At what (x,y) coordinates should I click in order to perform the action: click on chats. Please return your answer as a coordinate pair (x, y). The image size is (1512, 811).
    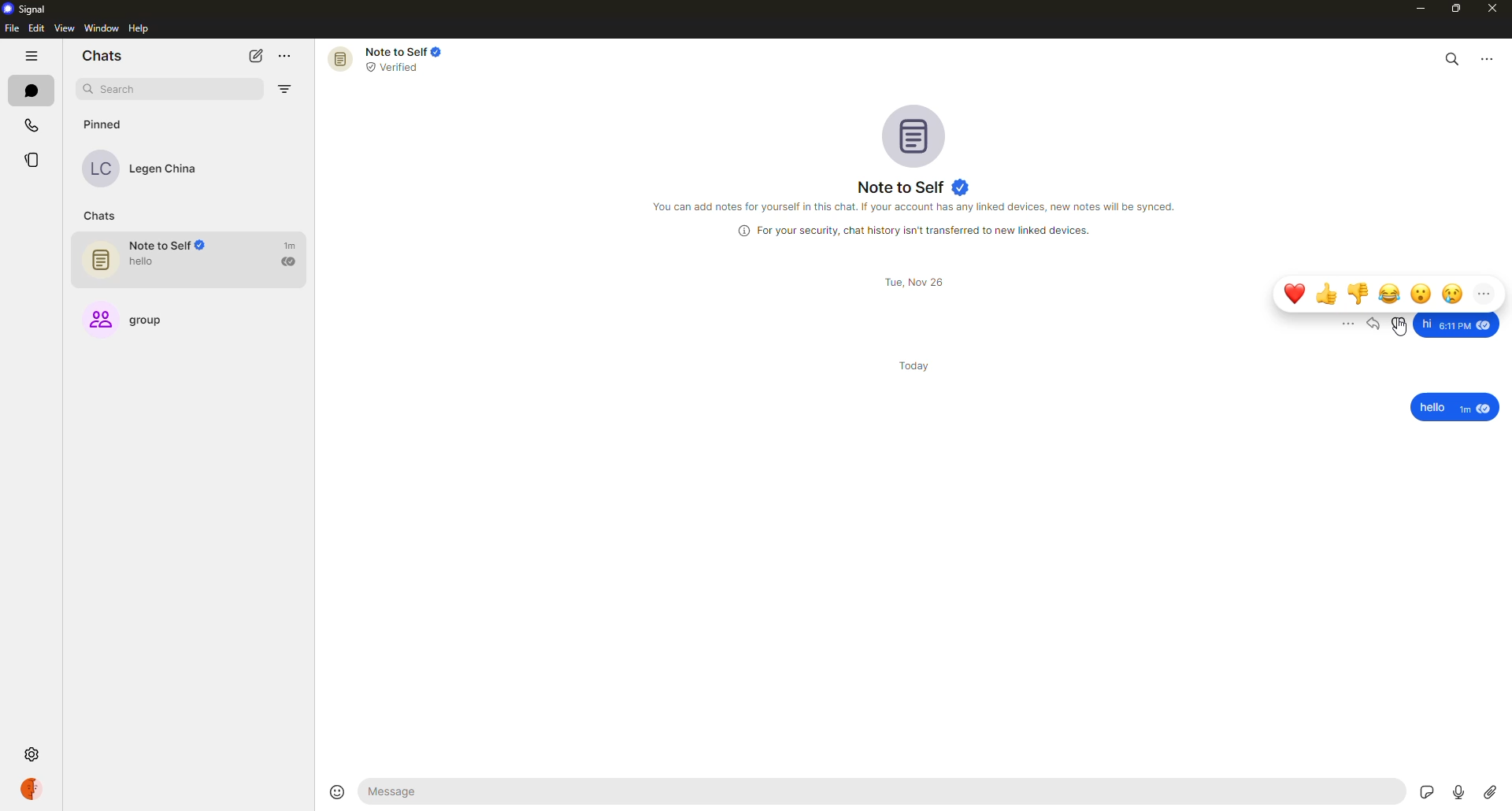
    Looking at the image, I should click on (102, 54).